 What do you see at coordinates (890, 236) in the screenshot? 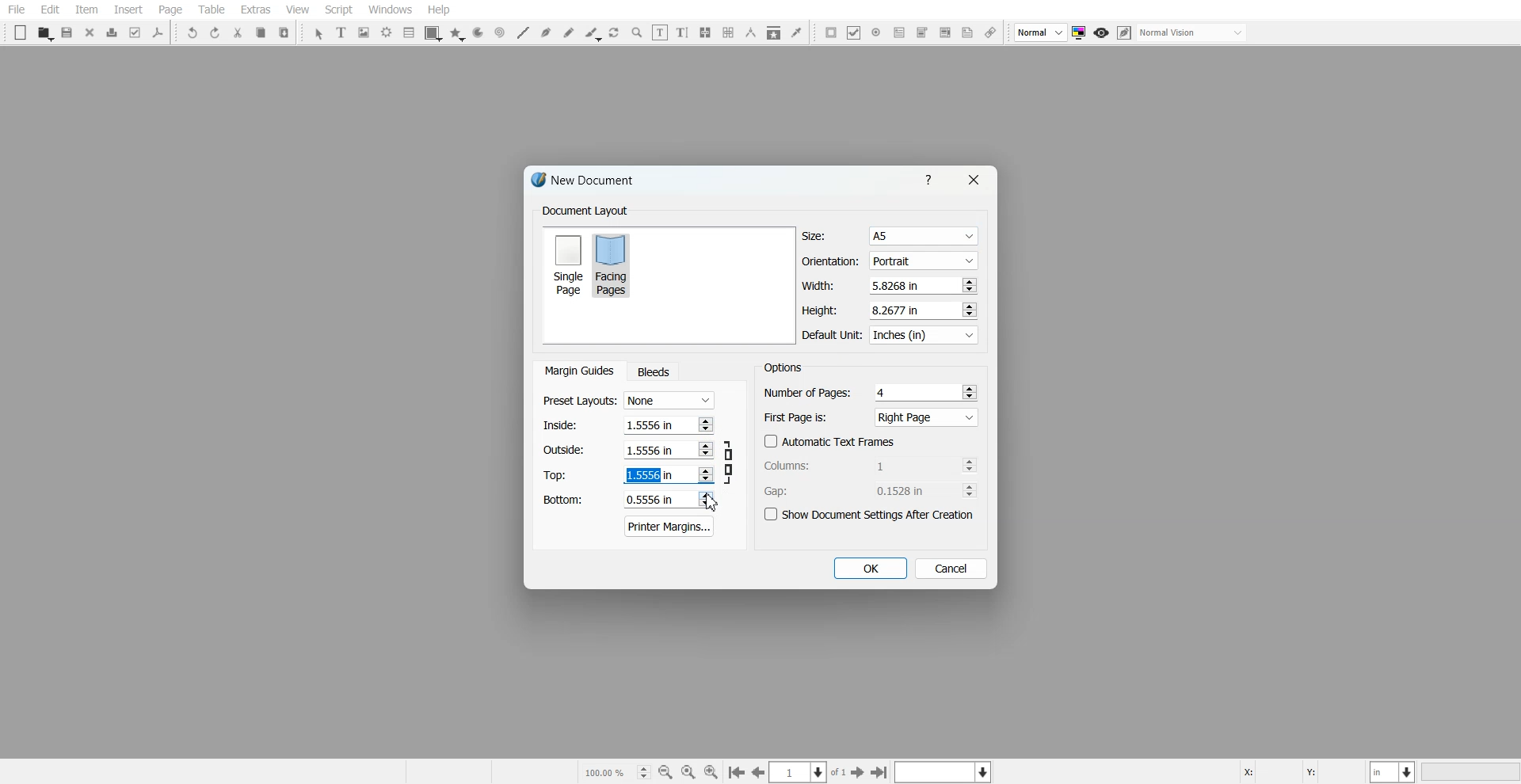
I see `Size` at bounding box center [890, 236].